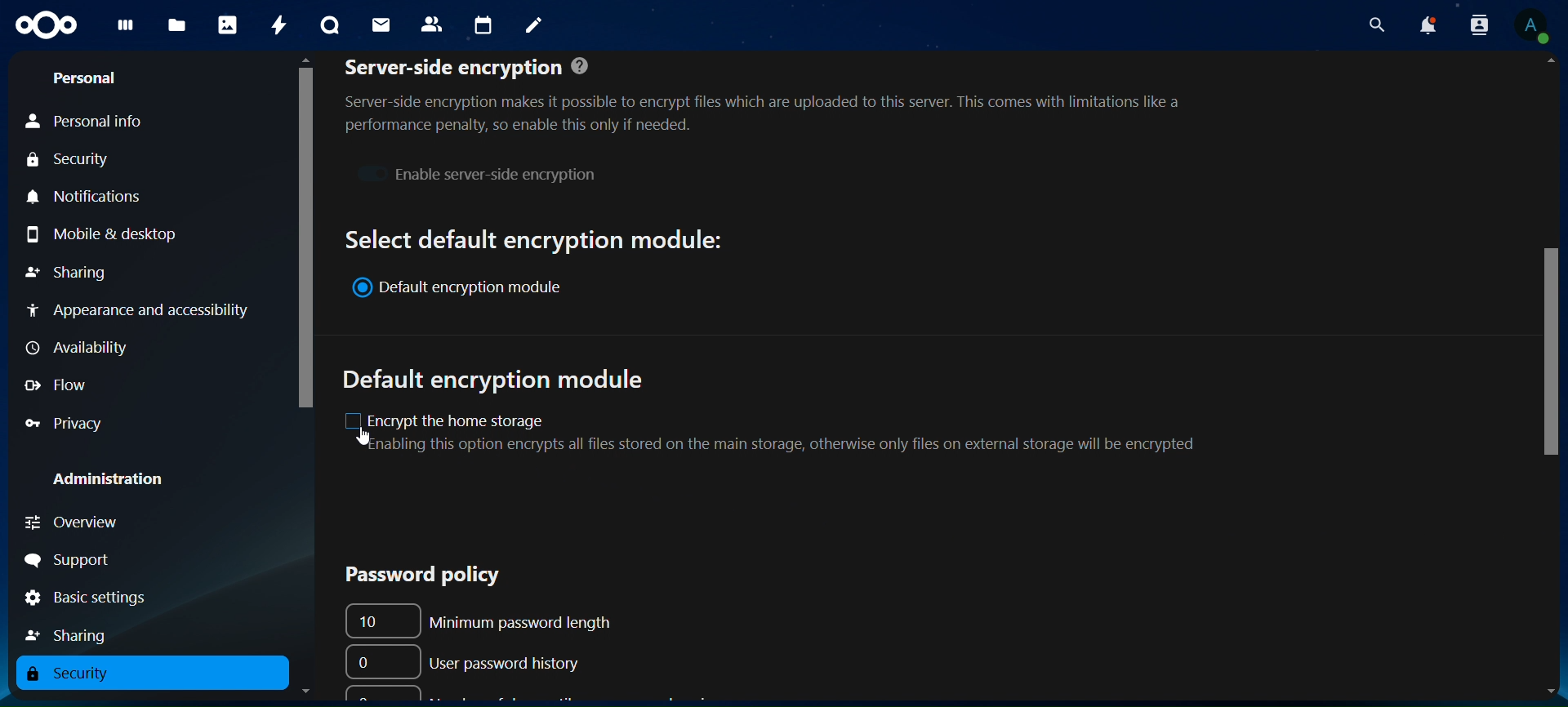 This screenshot has height=707, width=1568. Describe the element at coordinates (65, 386) in the screenshot. I see `flow` at that location.